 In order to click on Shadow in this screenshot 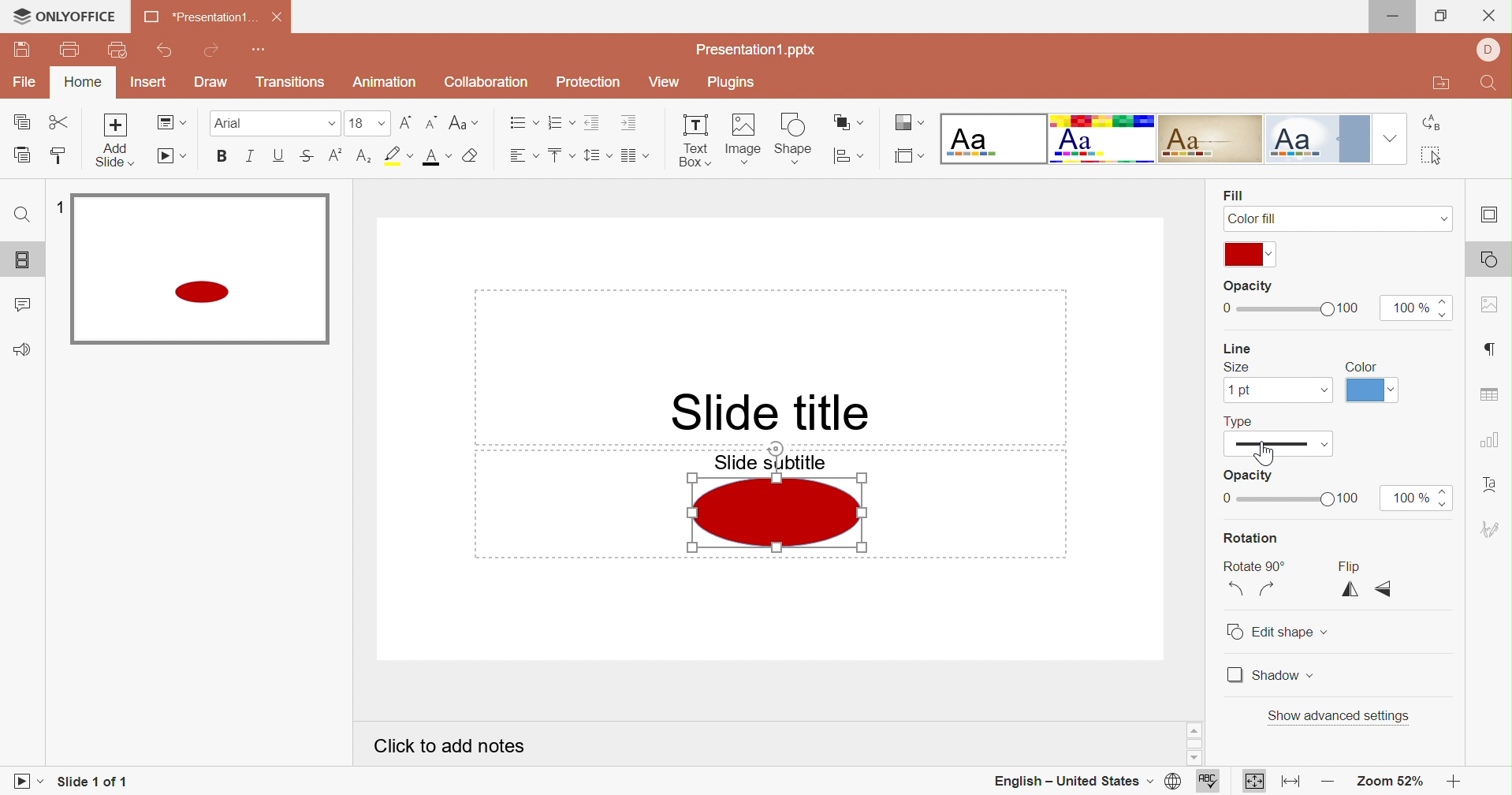, I will do `click(1271, 675)`.